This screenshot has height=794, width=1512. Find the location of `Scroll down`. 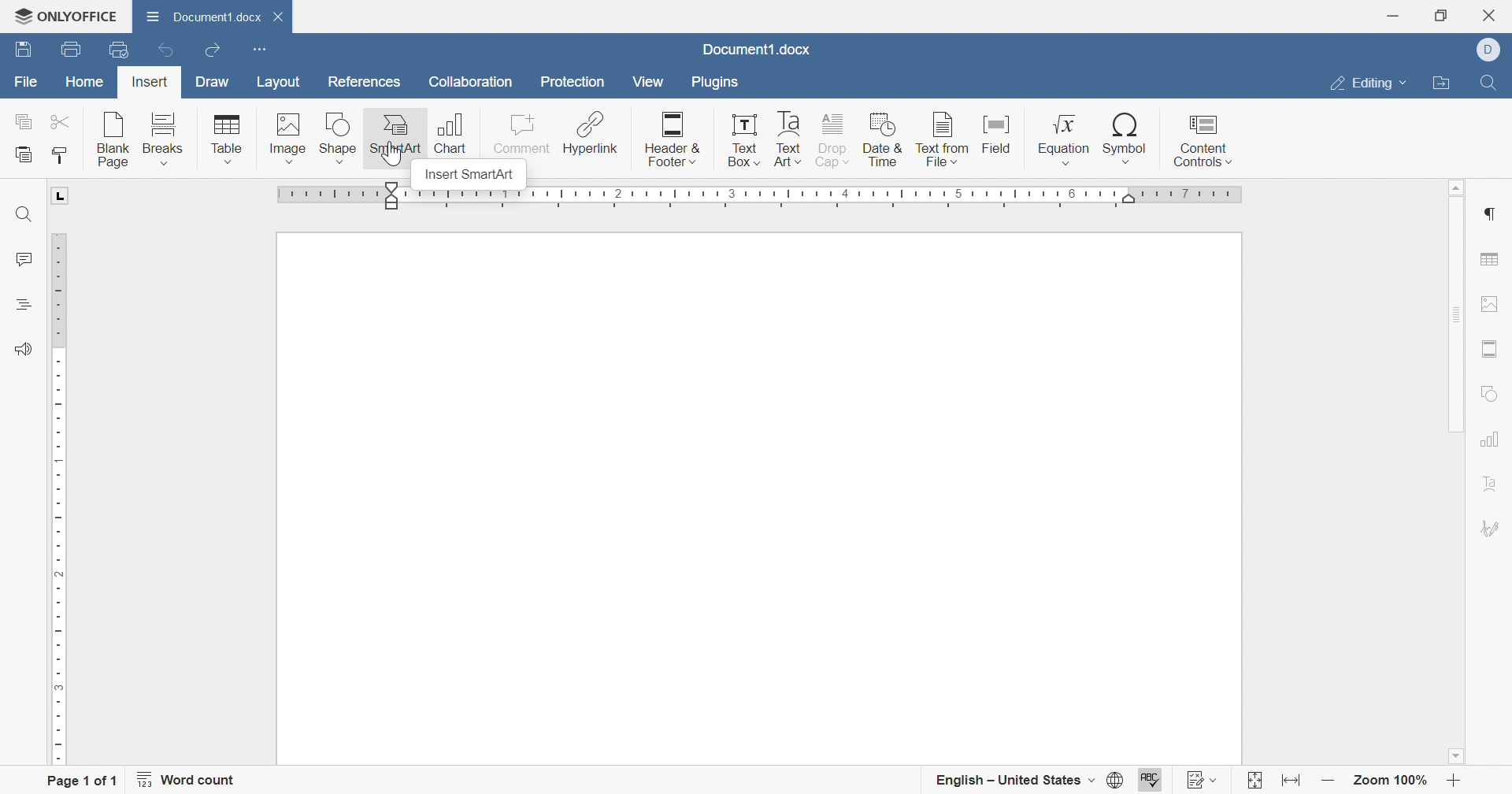

Scroll down is located at coordinates (1454, 756).